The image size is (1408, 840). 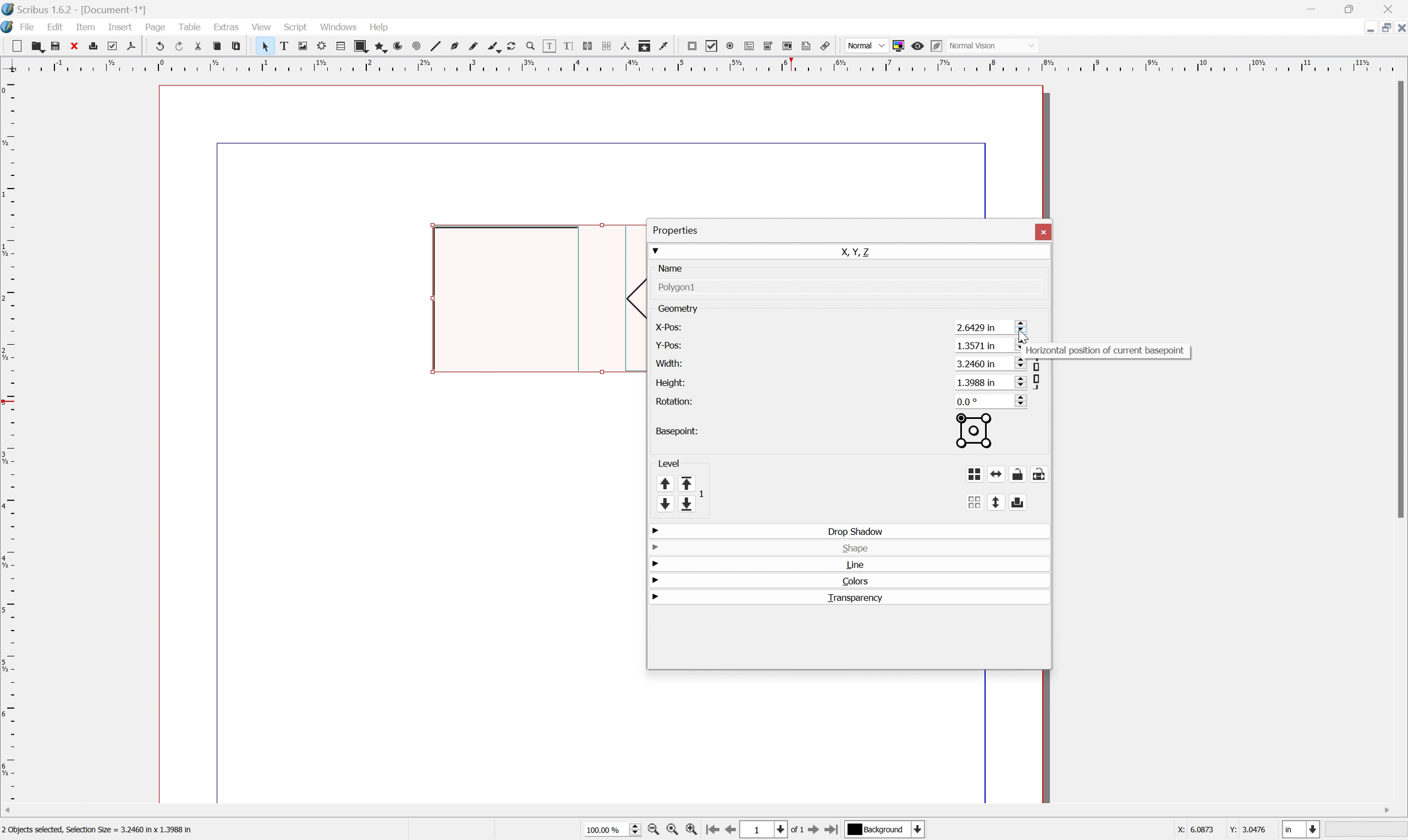 What do you see at coordinates (1020, 500) in the screenshot?
I see `enable or disable exporting of object` at bounding box center [1020, 500].